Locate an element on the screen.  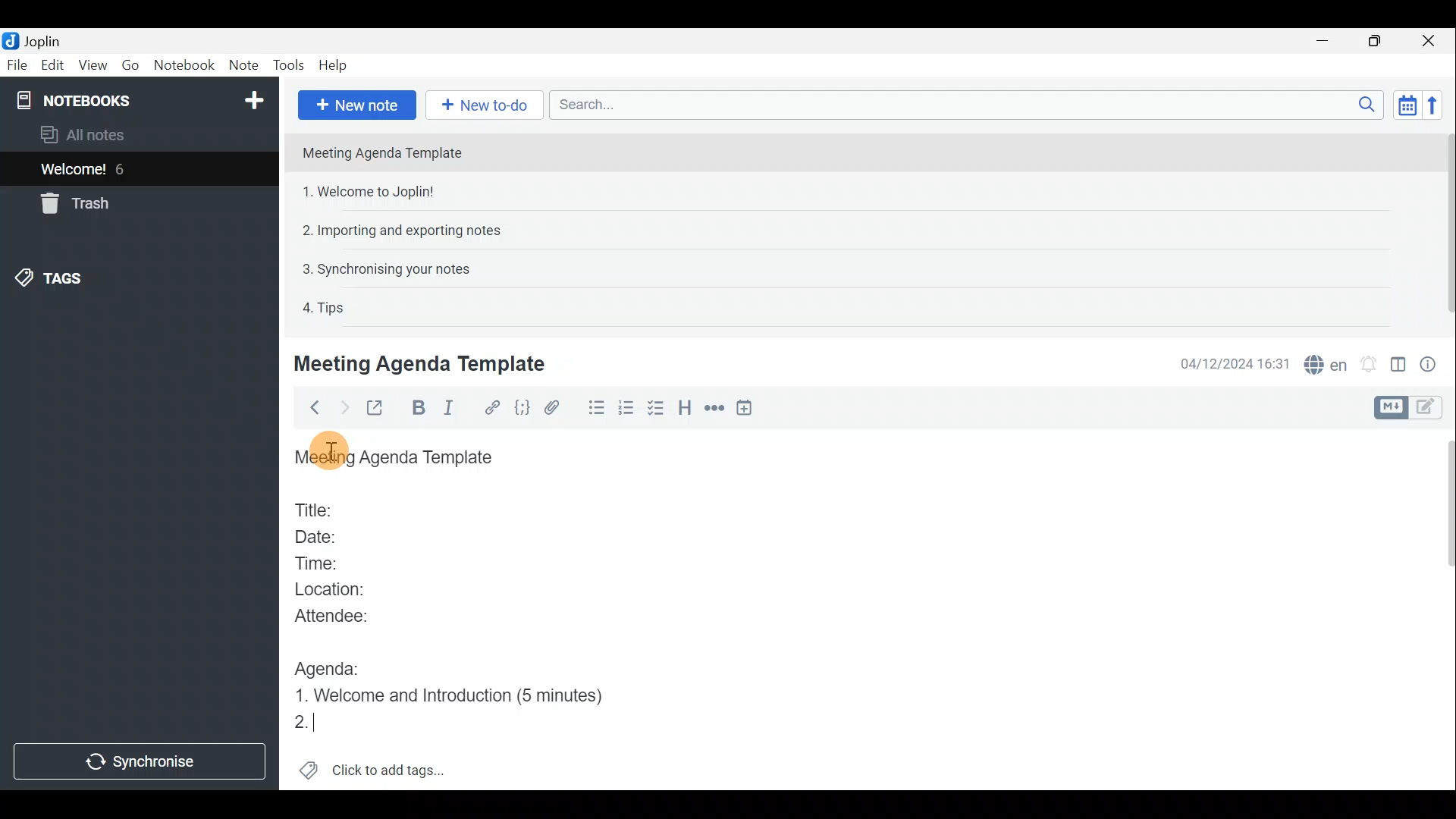
View is located at coordinates (90, 67).